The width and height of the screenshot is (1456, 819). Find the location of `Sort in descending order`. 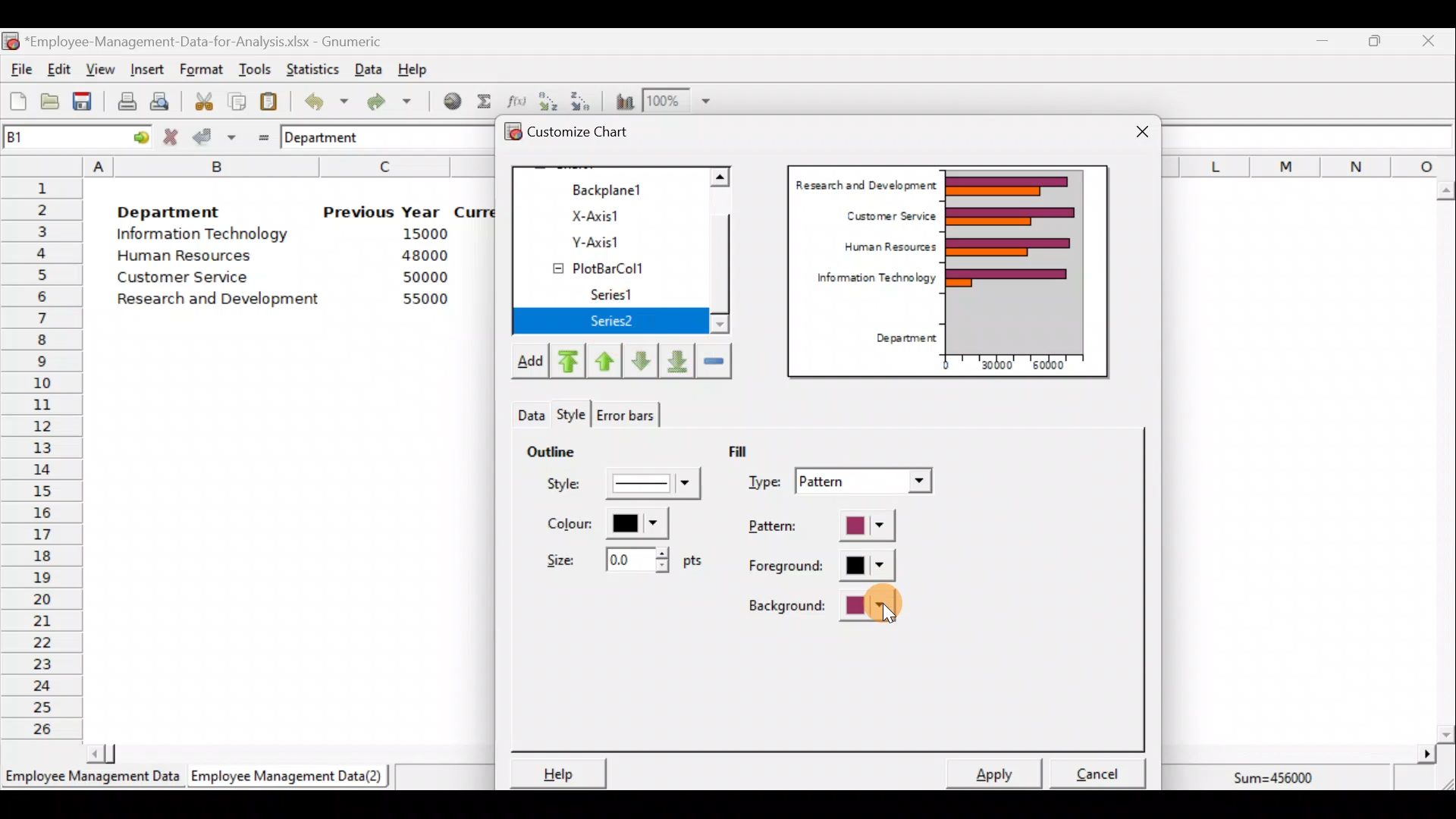

Sort in descending order is located at coordinates (582, 100).